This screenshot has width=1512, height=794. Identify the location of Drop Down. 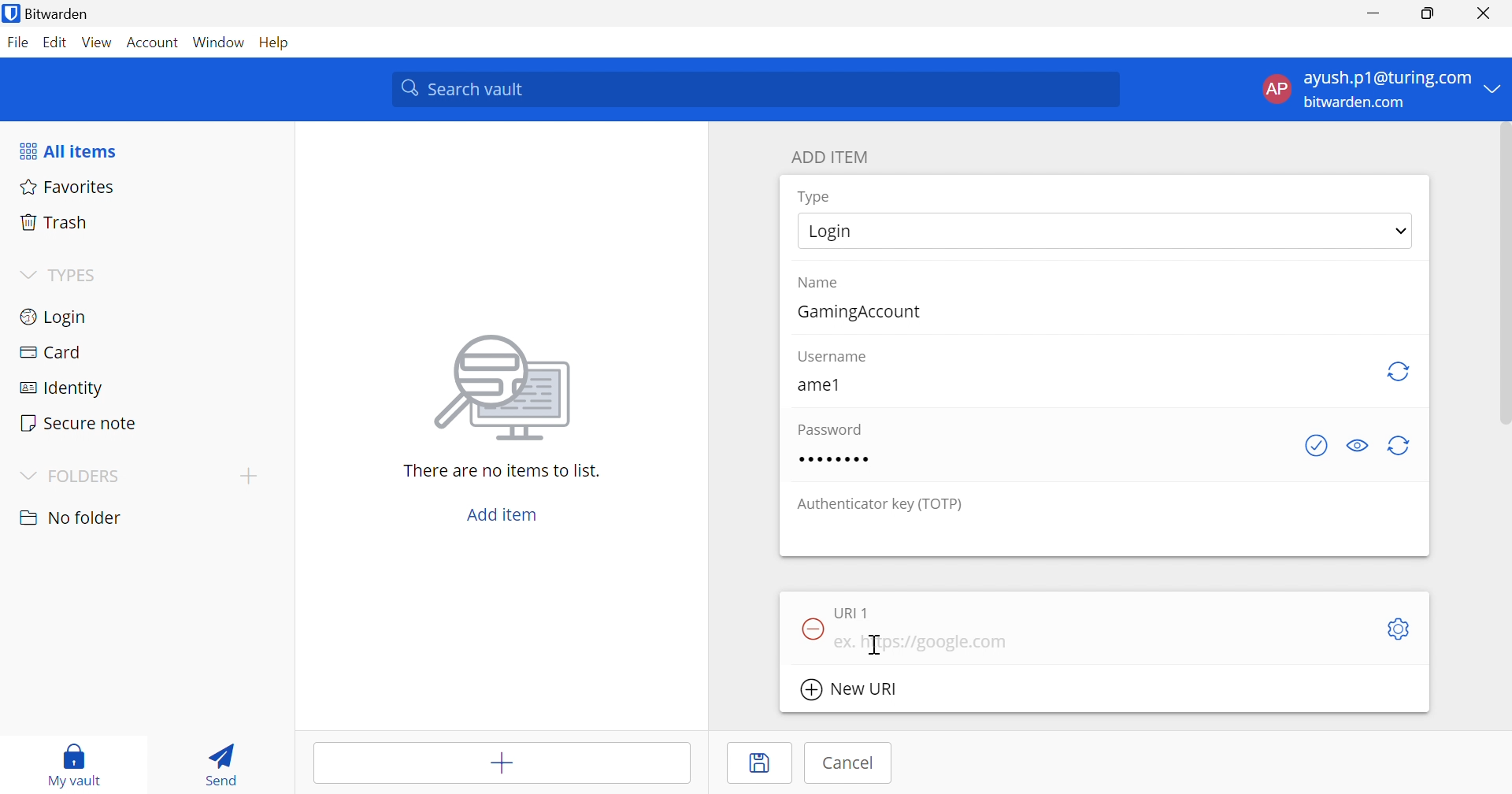
(24, 475).